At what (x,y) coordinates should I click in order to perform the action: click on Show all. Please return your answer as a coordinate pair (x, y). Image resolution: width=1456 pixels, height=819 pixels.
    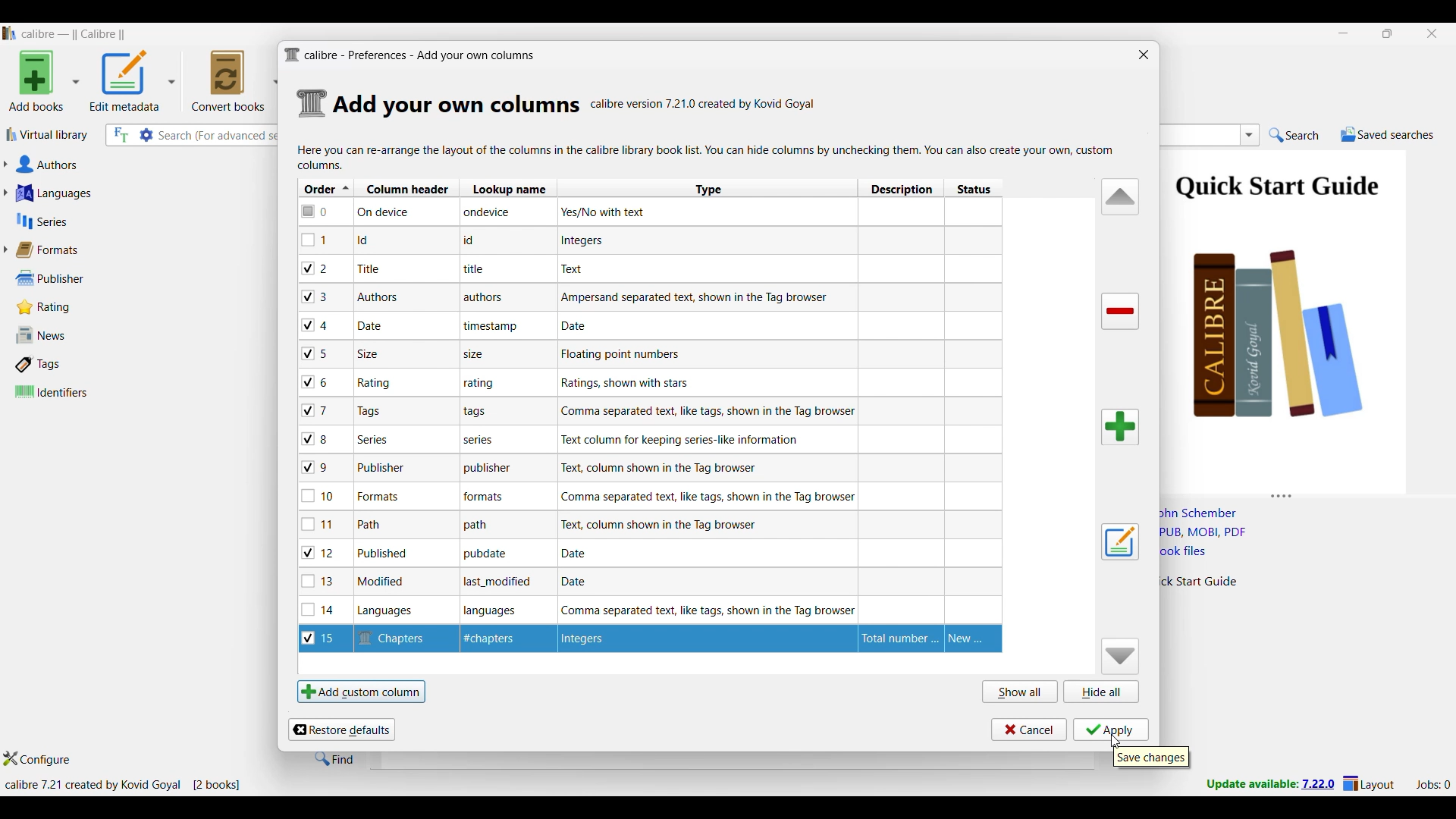
    Looking at the image, I should click on (1021, 691).